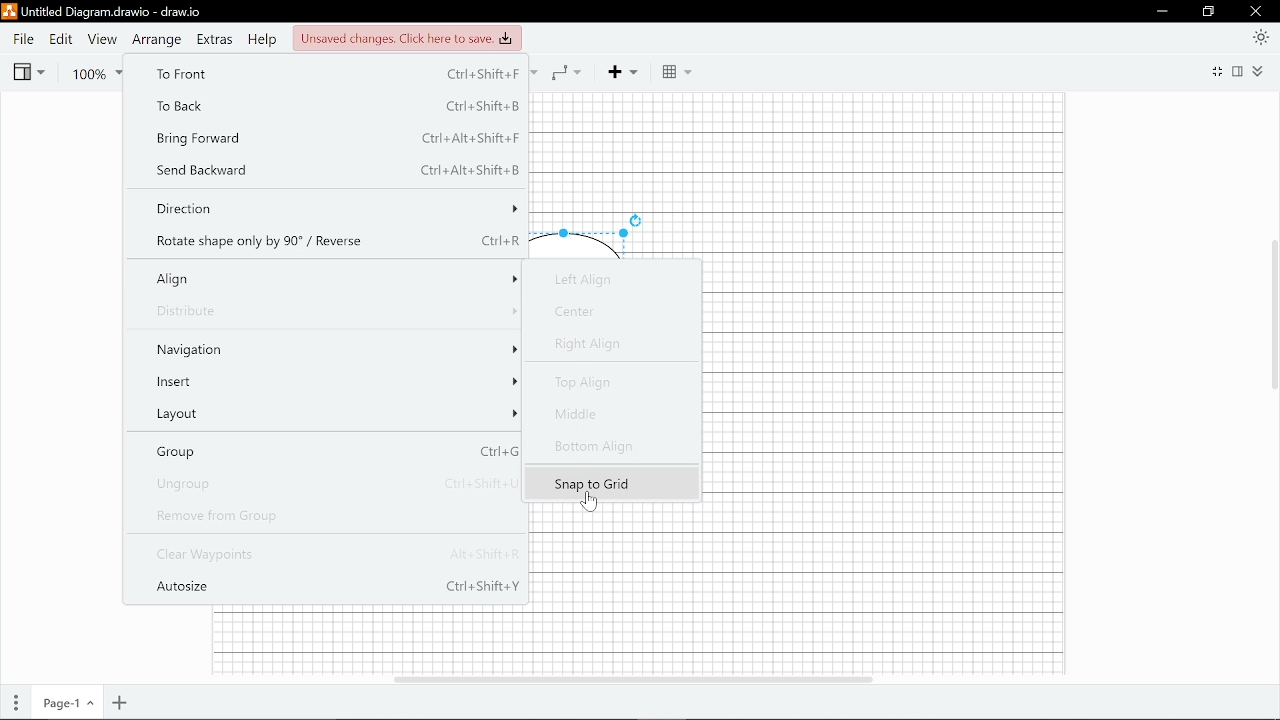 The height and width of the screenshot is (720, 1280). What do you see at coordinates (335, 351) in the screenshot?
I see `Navigation` at bounding box center [335, 351].